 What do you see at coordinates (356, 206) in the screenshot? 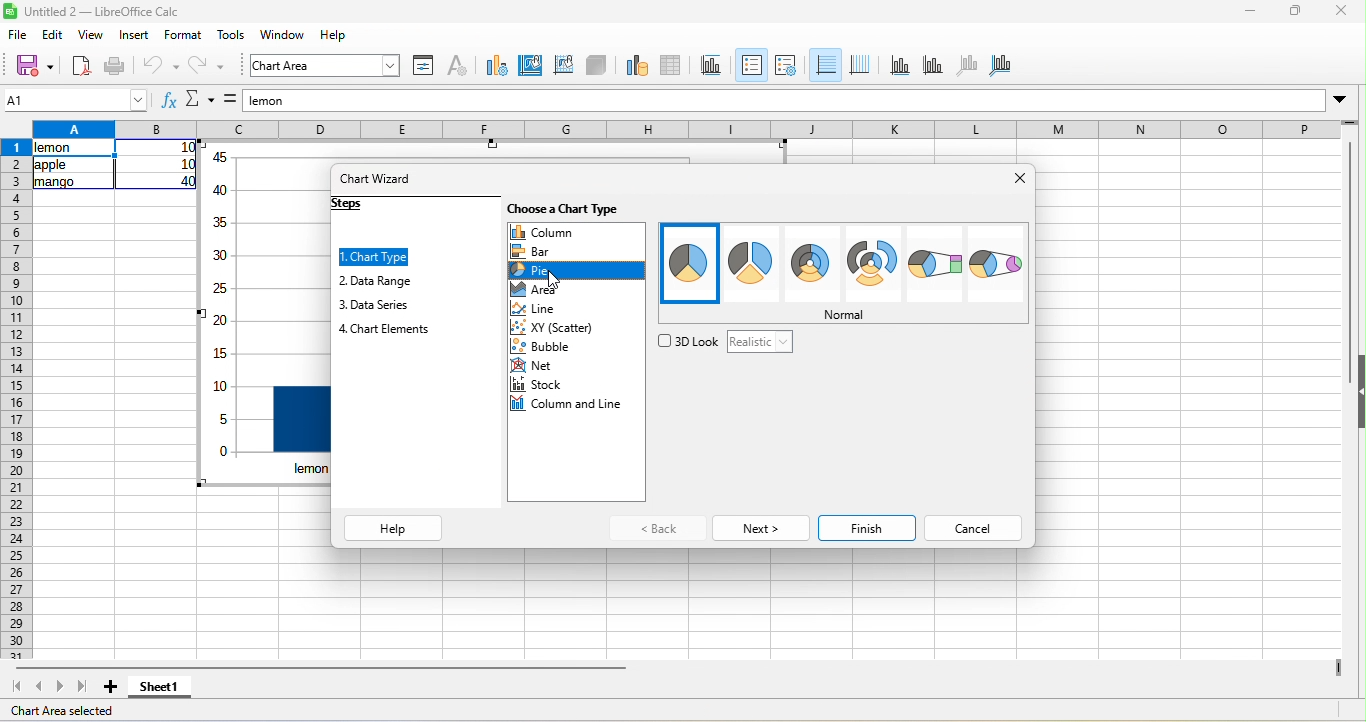
I see `steps` at bounding box center [356, 206].